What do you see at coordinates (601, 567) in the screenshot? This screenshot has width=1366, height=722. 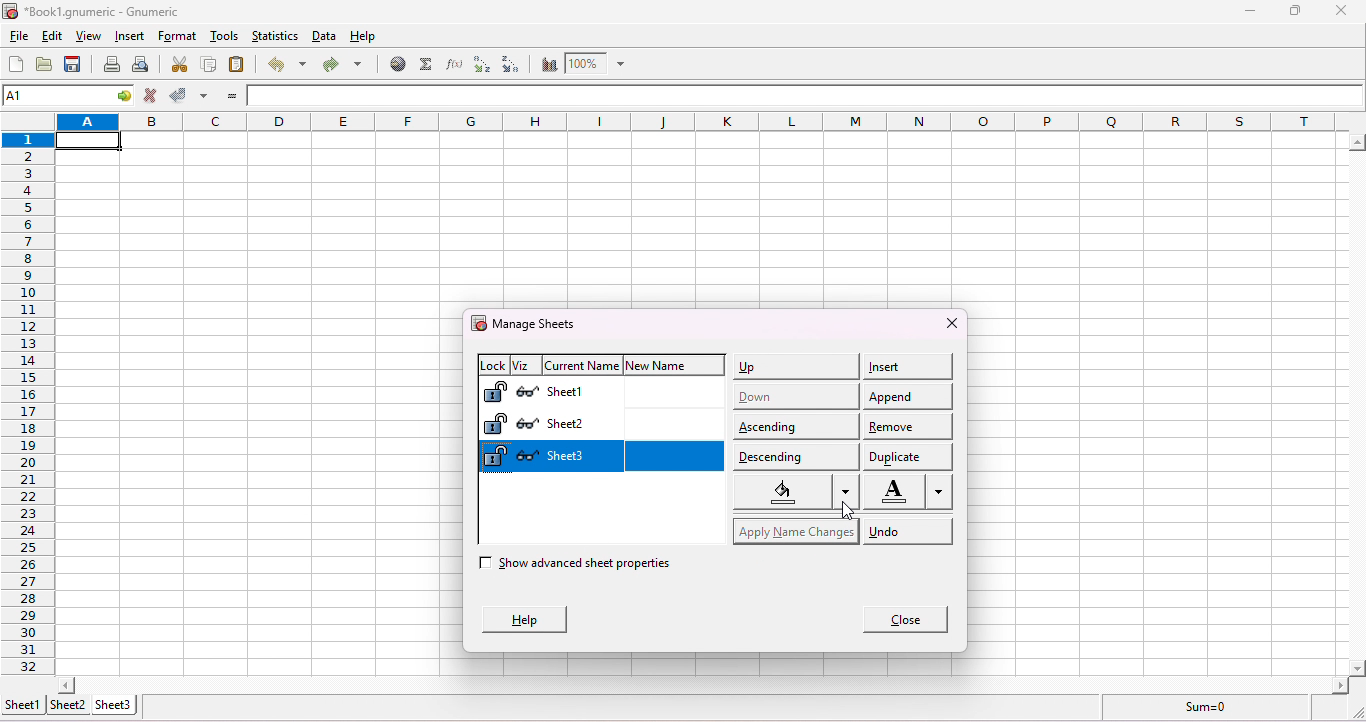 I see `show advanced sheet properties` at bounding box center [601, 567].